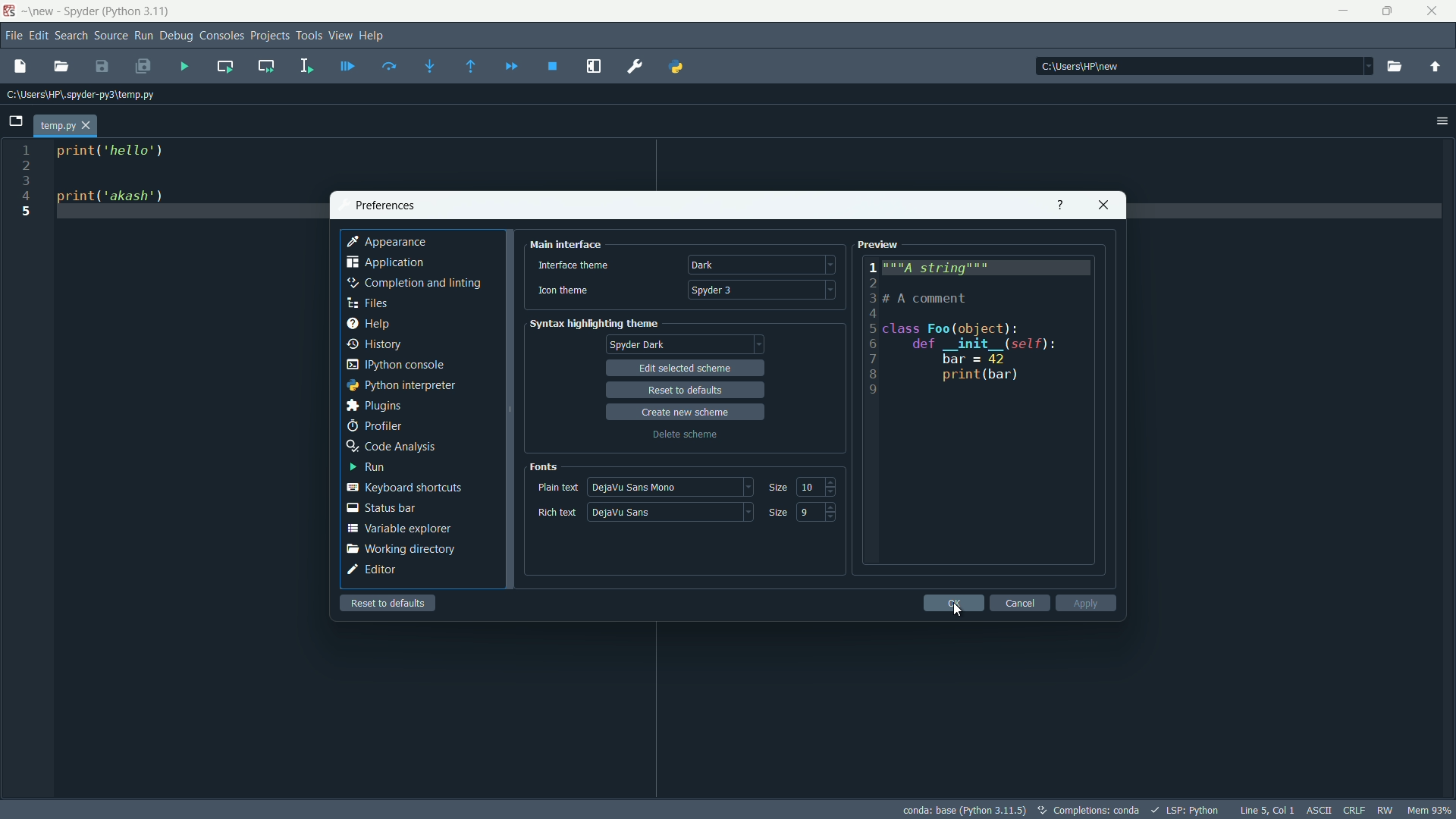 The image size is (1456, 819). I want to click on preferences, so click(384, 206).